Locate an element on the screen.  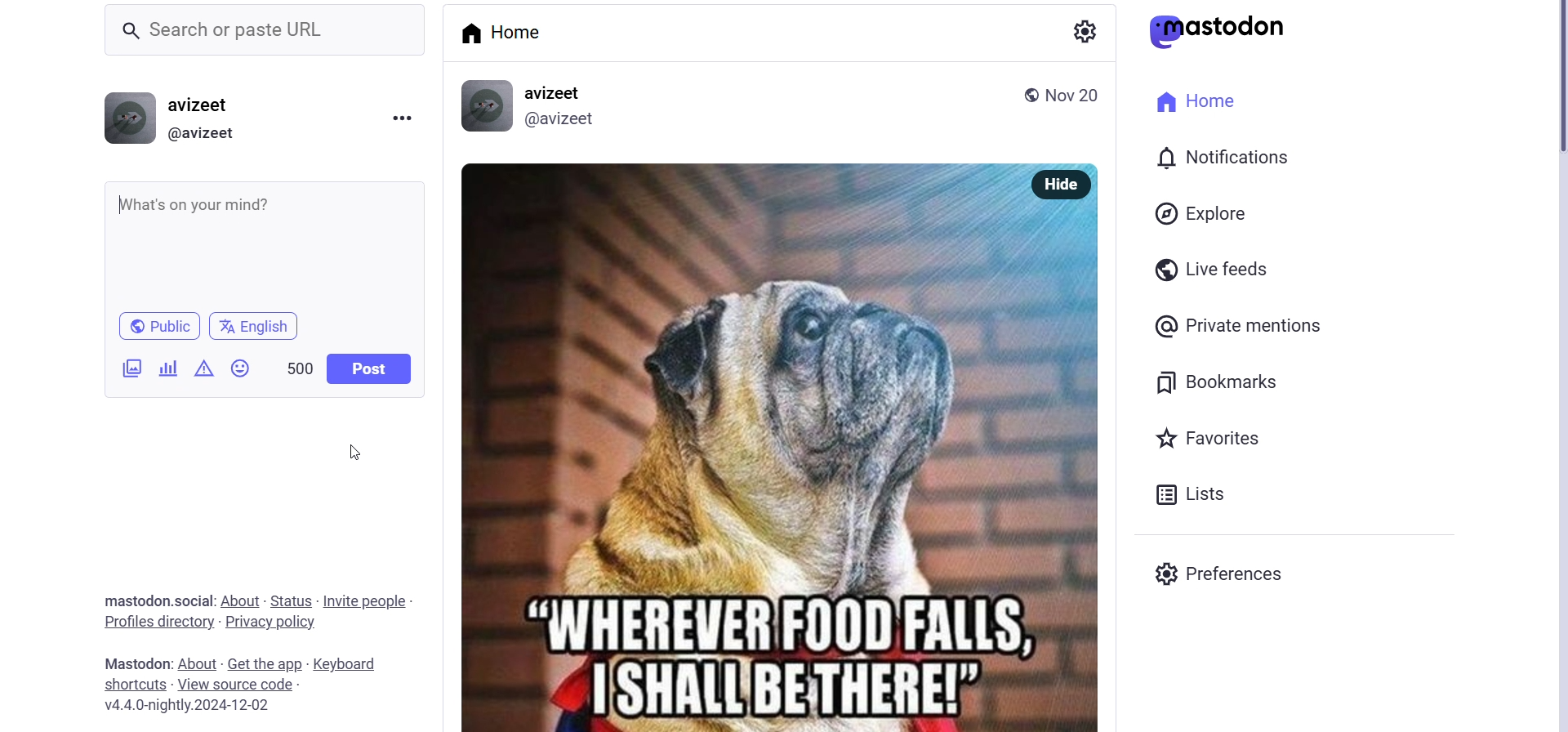
public post is located at coordinates (1023, 94).